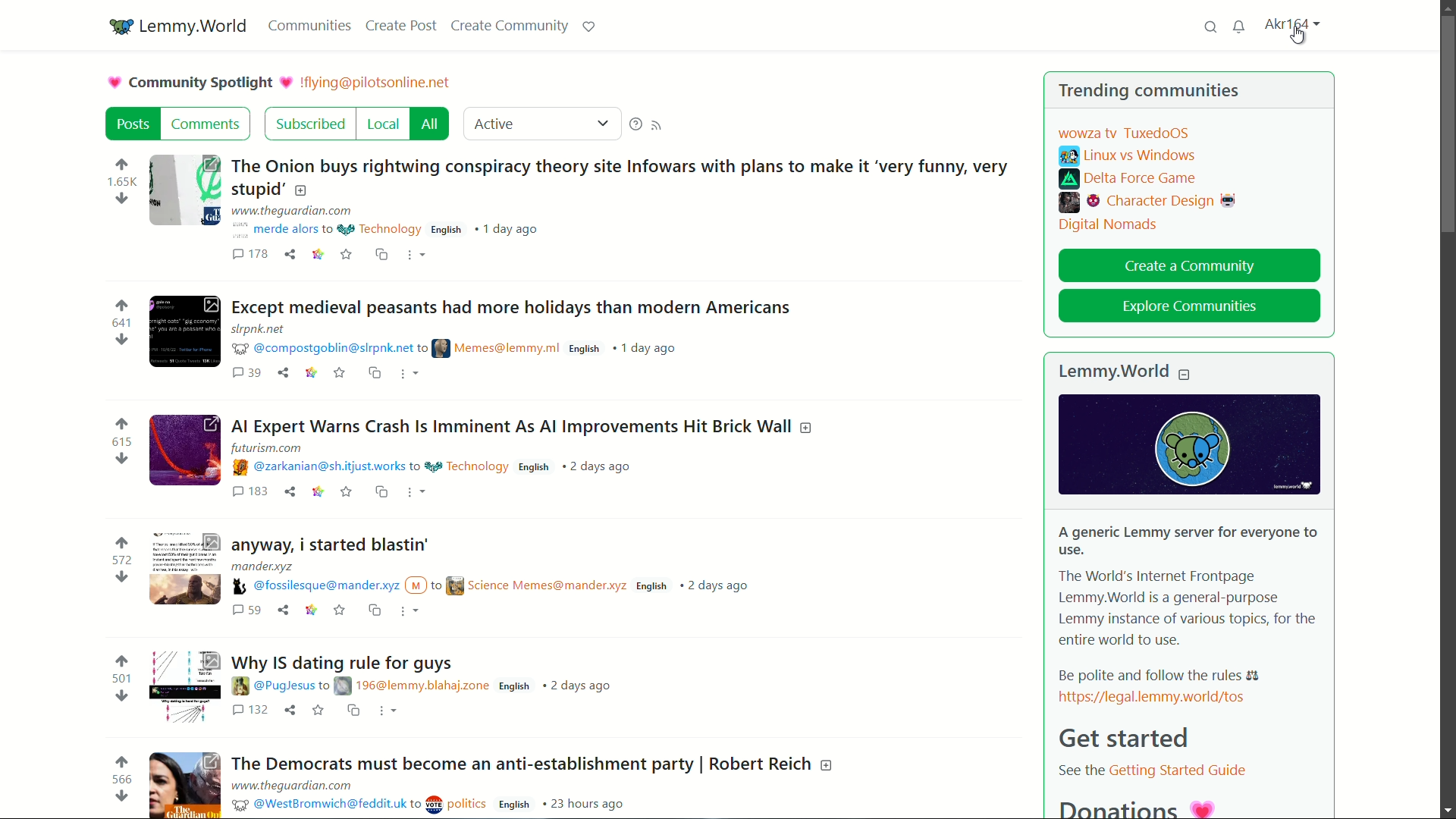 The width and height of the screenshot is (1456, 819). What do you see at coordinates (187, 190) in the screenshot?
I see `image` at bounding box center [187, 190].